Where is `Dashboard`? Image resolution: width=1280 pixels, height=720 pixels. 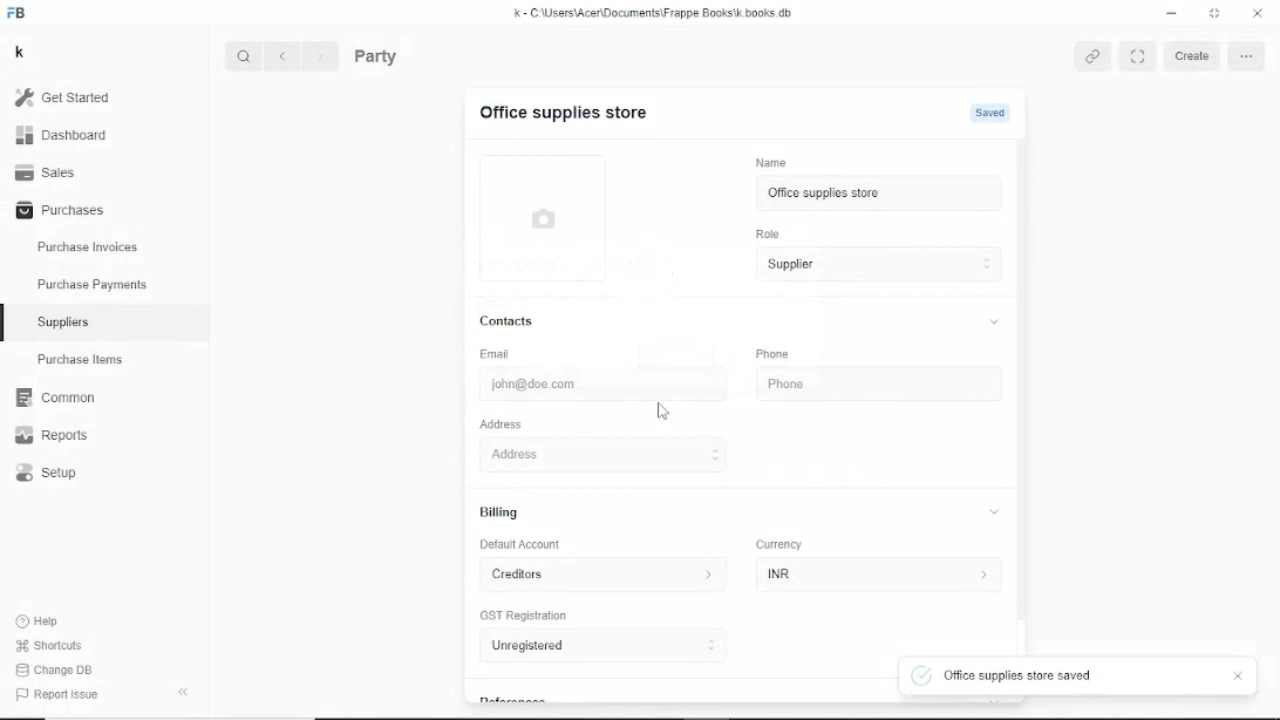
Dashboard is located at coordinates (62, 136).